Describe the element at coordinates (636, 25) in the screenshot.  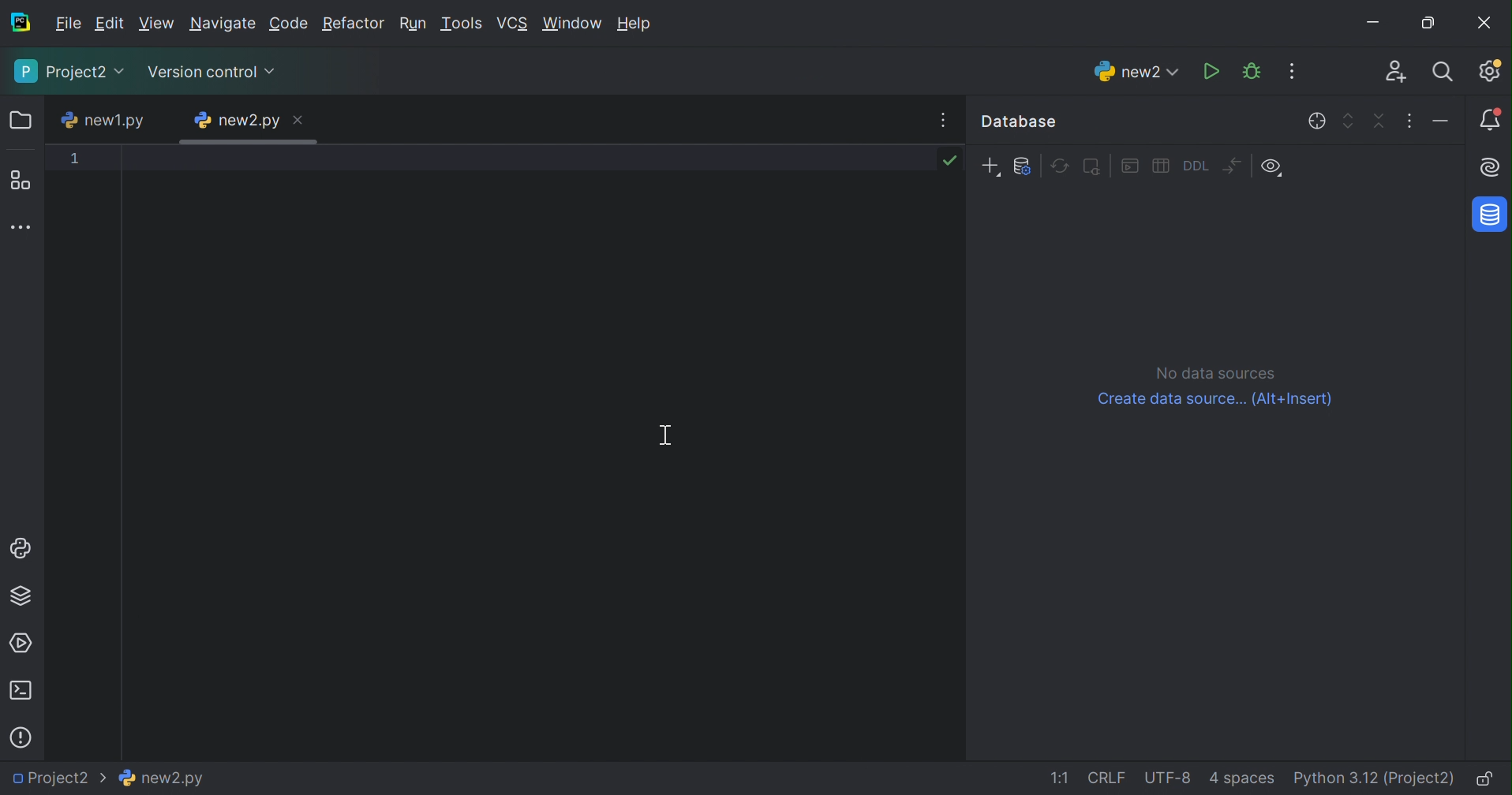
I see `Help` at that location.